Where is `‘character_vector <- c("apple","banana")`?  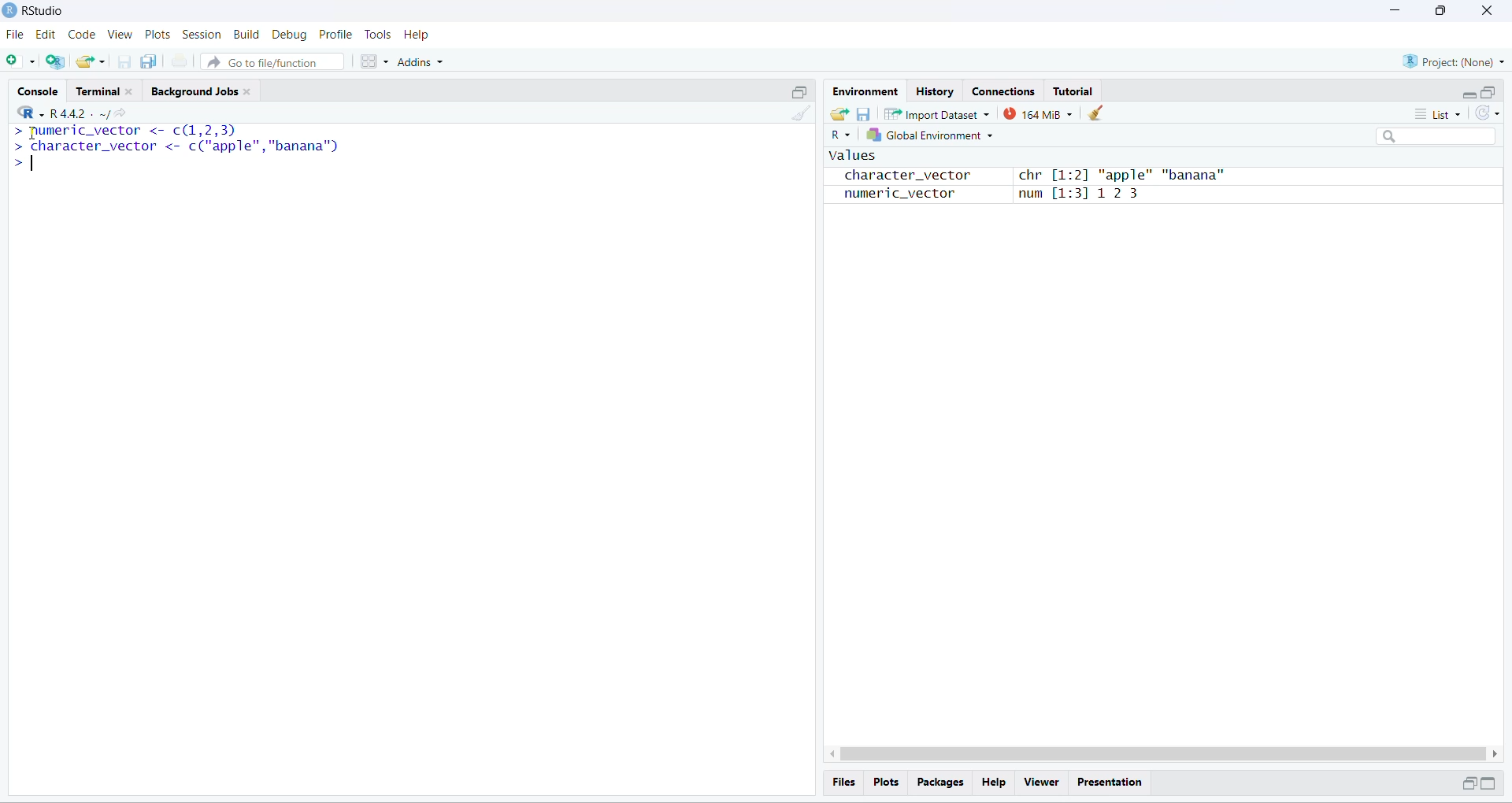 ‘character_vector <- c("apple","banana") is located at coordinates (176, 147).